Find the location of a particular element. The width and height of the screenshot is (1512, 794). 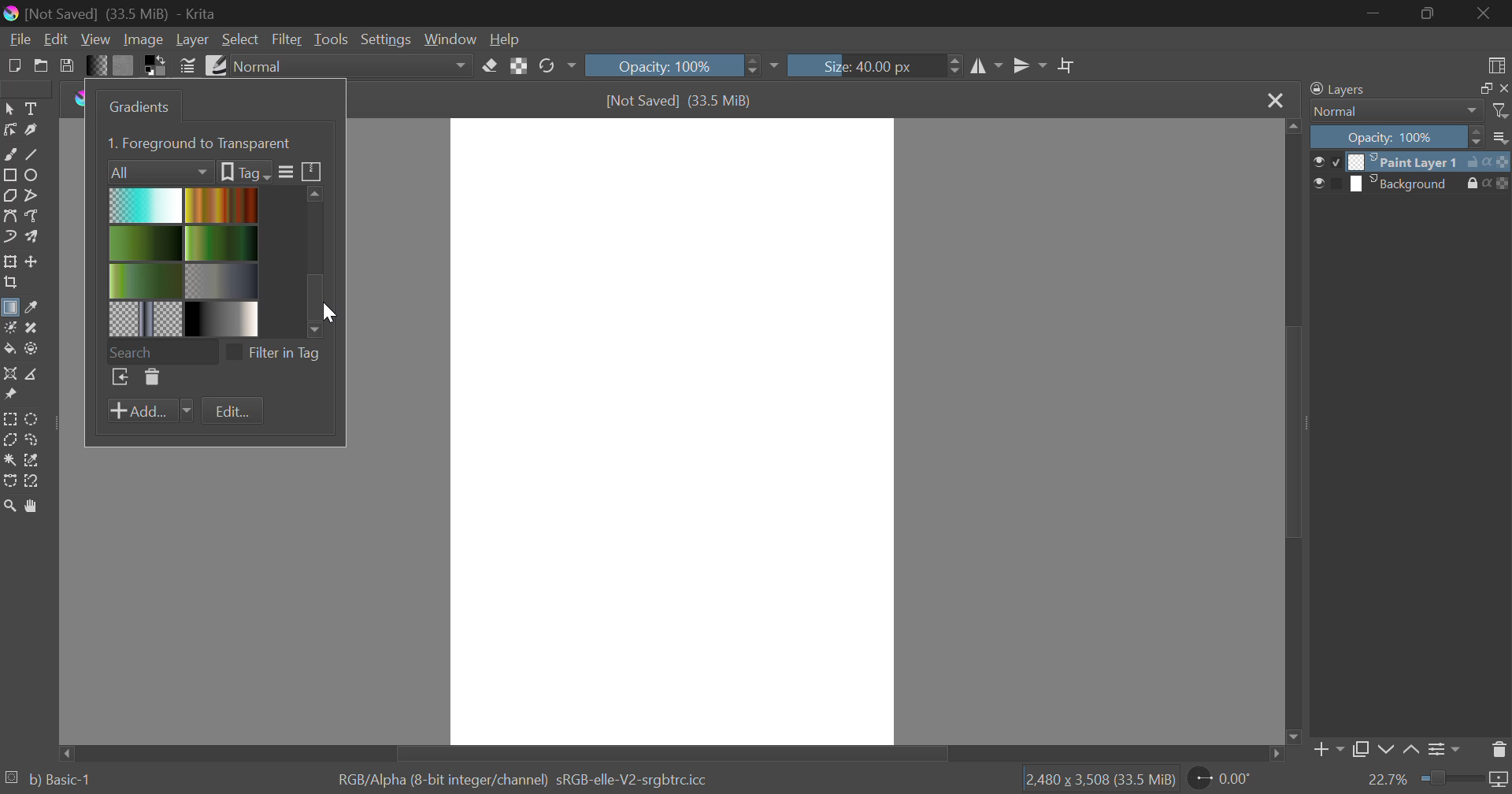

Tag is located at coordinates (244, 172).